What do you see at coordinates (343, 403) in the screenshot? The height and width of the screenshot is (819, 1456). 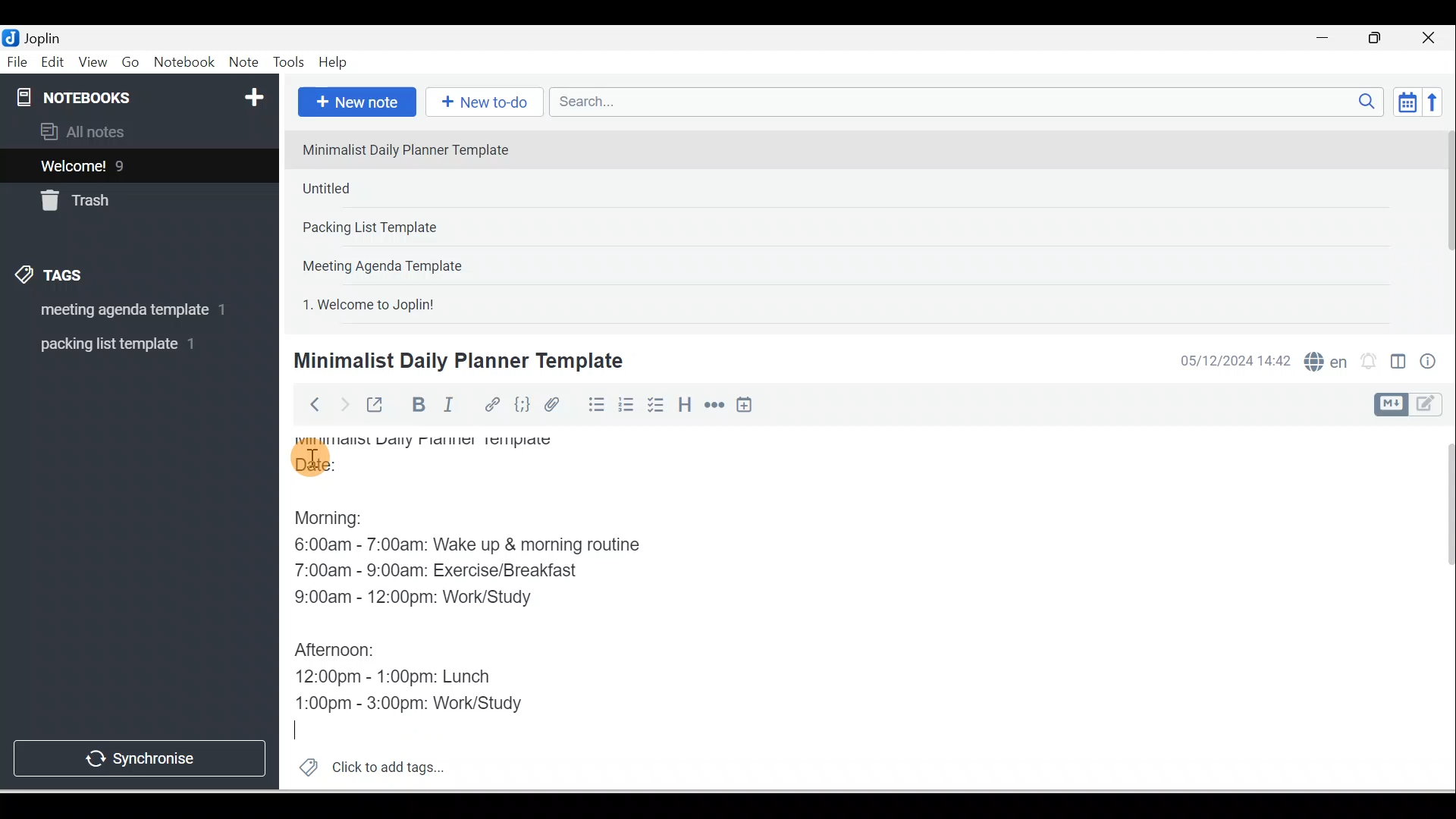 I see `Forward` at bounding box center [343, 403].